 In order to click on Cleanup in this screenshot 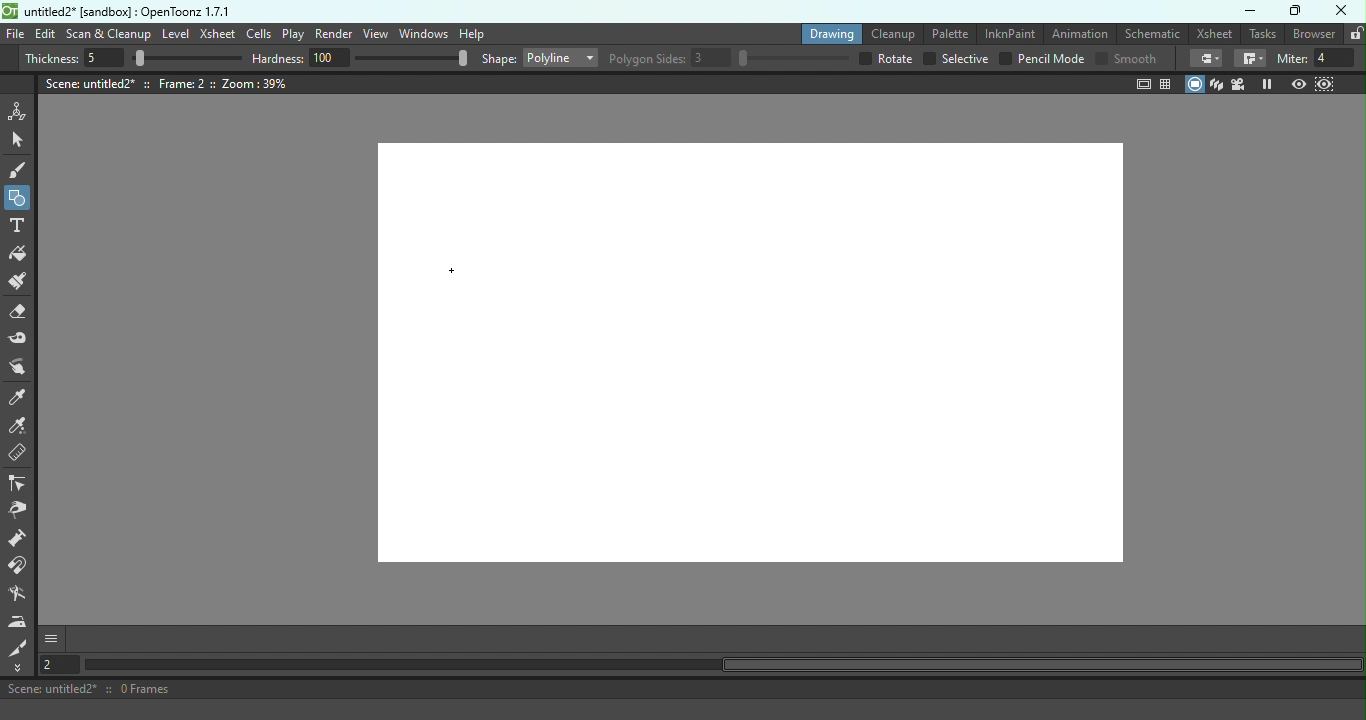, I will do `click(891, 32)`.